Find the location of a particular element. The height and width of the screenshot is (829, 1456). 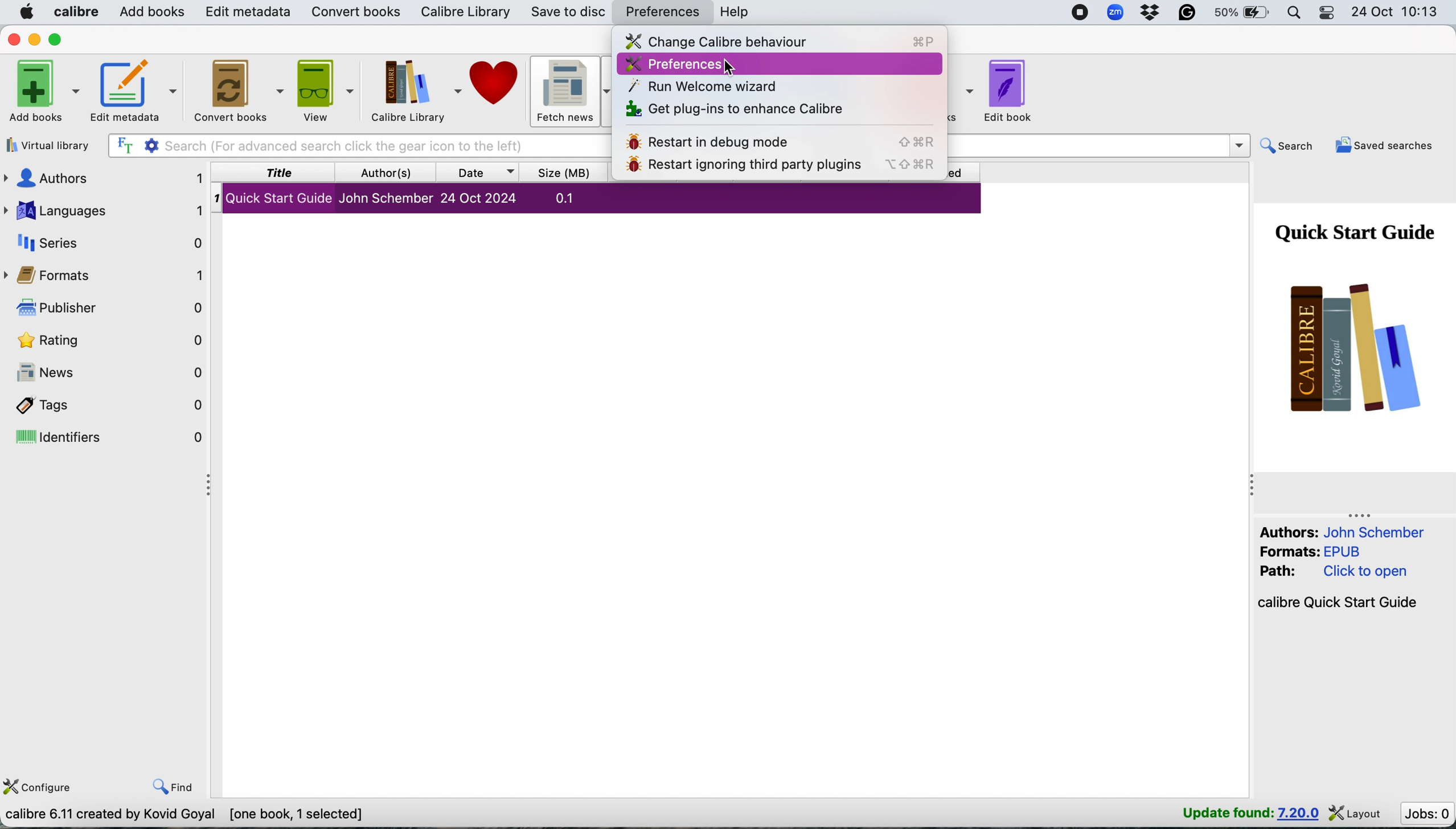

24 oct 10:13 is located at coordinates (1397, 14).